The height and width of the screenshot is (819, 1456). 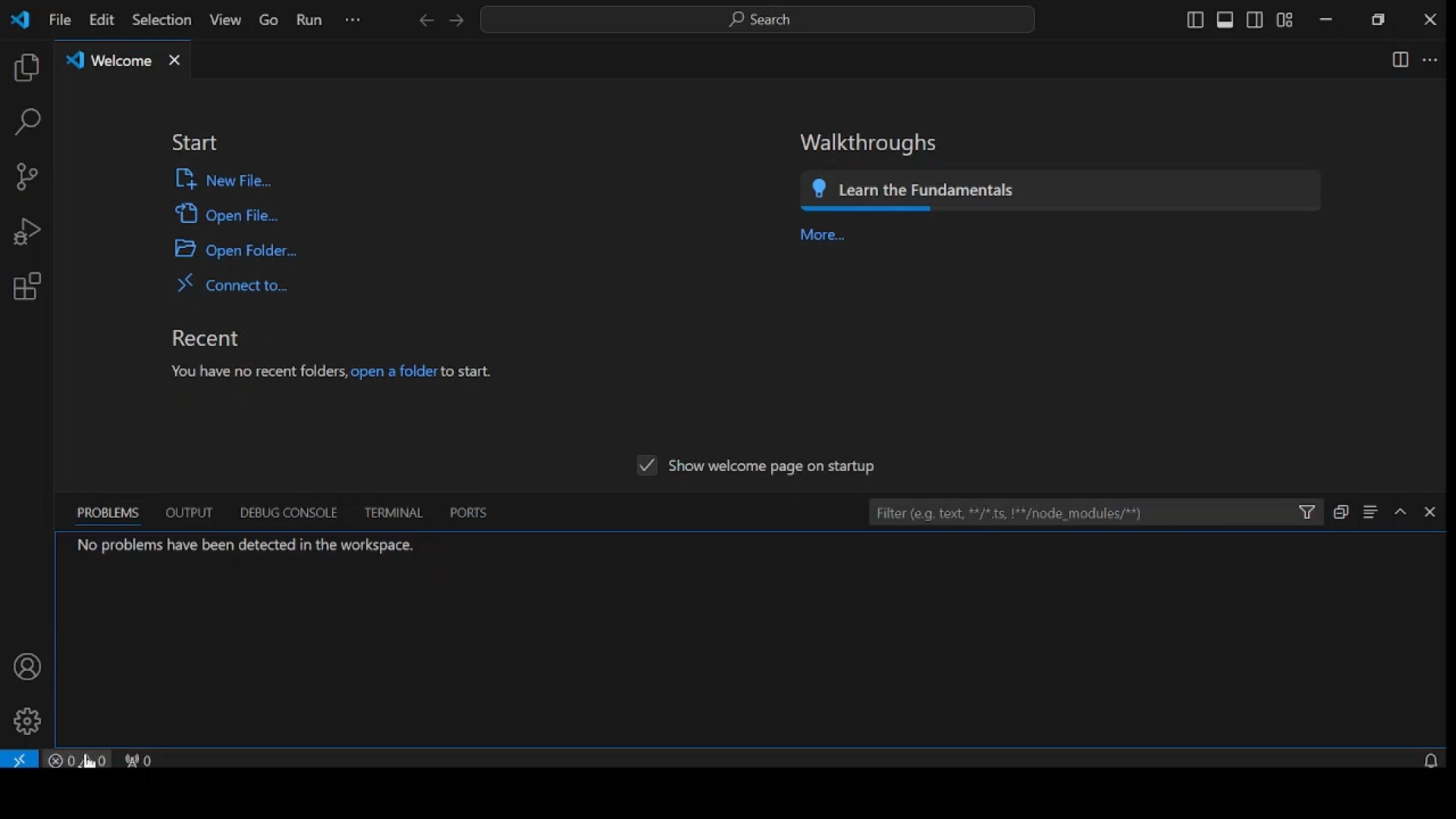 I want to click on split editor right split editor down, so click(x=1398, y=59).